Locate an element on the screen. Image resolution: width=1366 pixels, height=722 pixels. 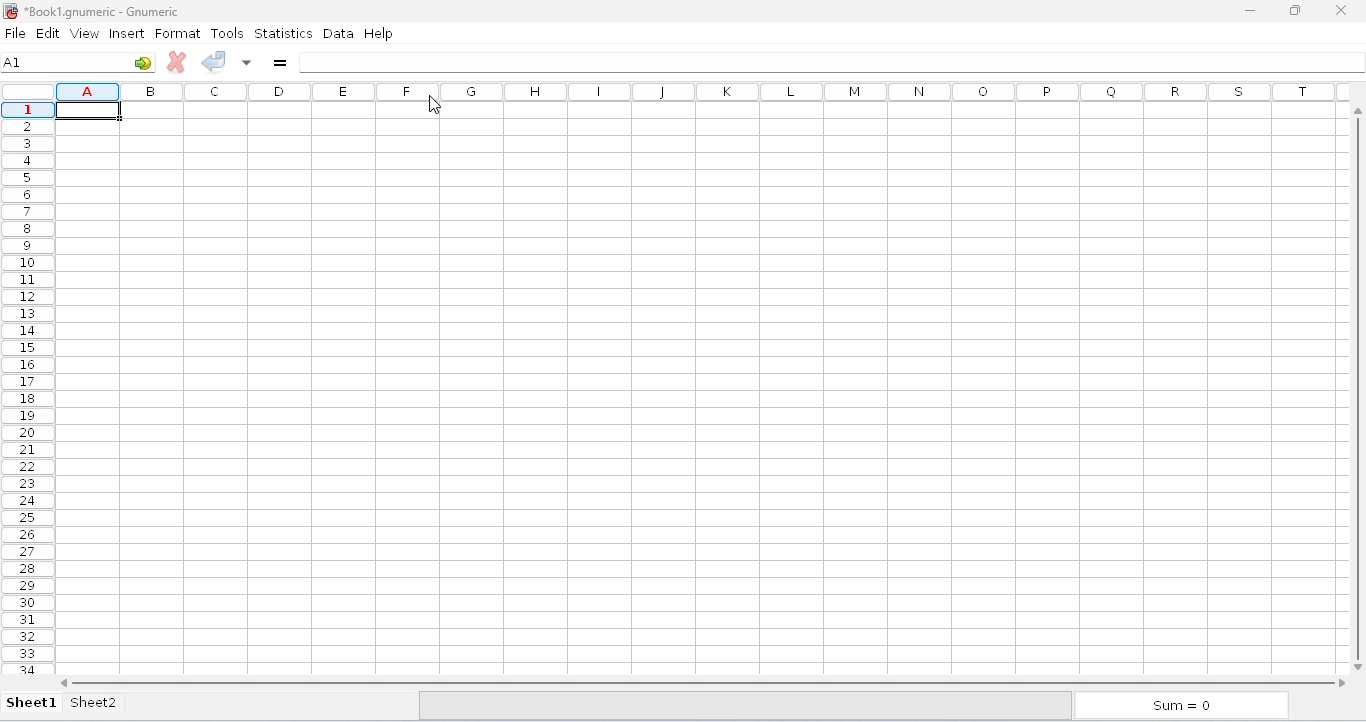
Book1 numeric - Gnumeric is located at coordinates (103, 11).